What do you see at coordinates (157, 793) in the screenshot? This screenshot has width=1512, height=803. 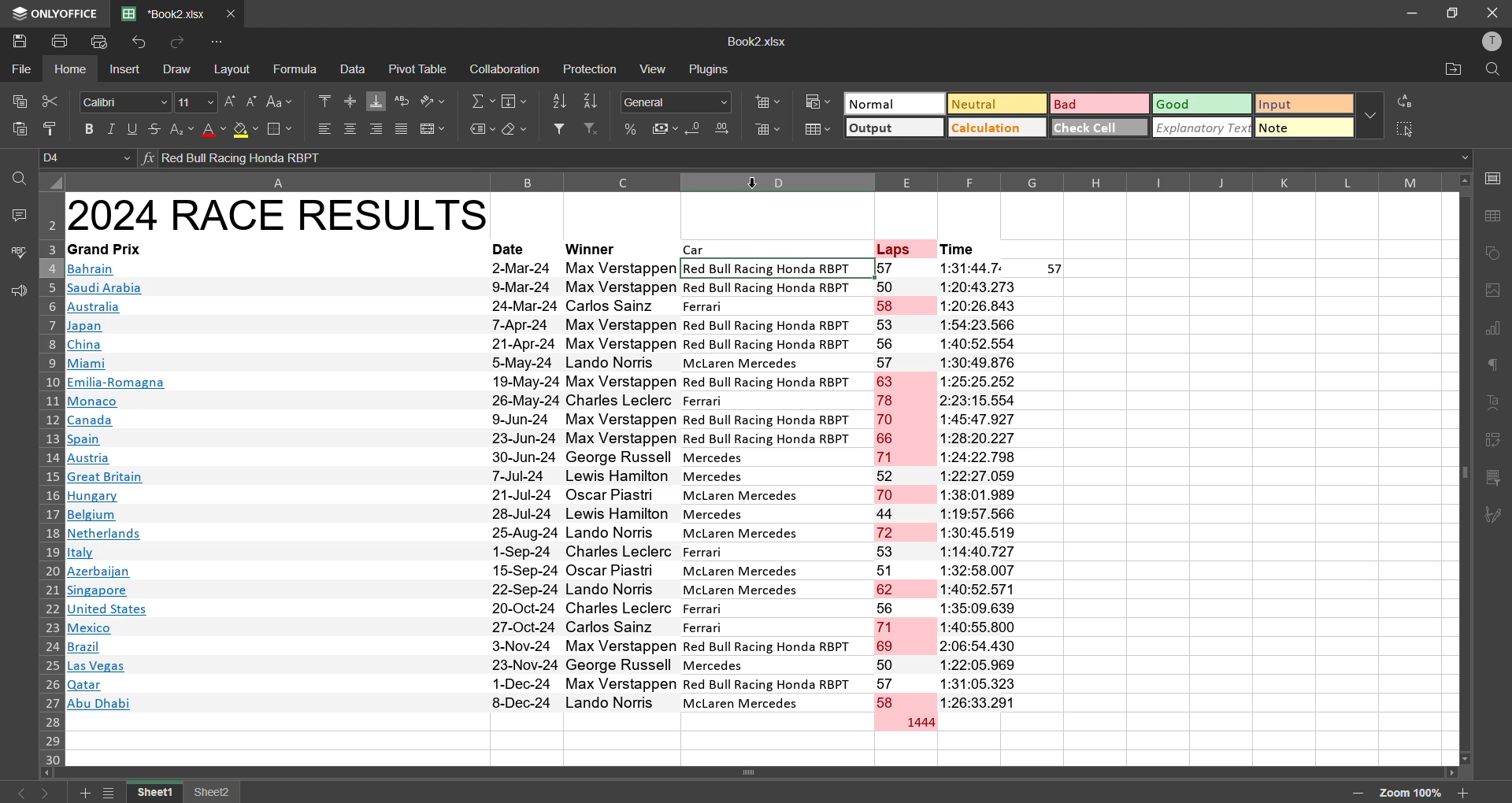 I see `sheet  name` at bounding box center [157, 793].